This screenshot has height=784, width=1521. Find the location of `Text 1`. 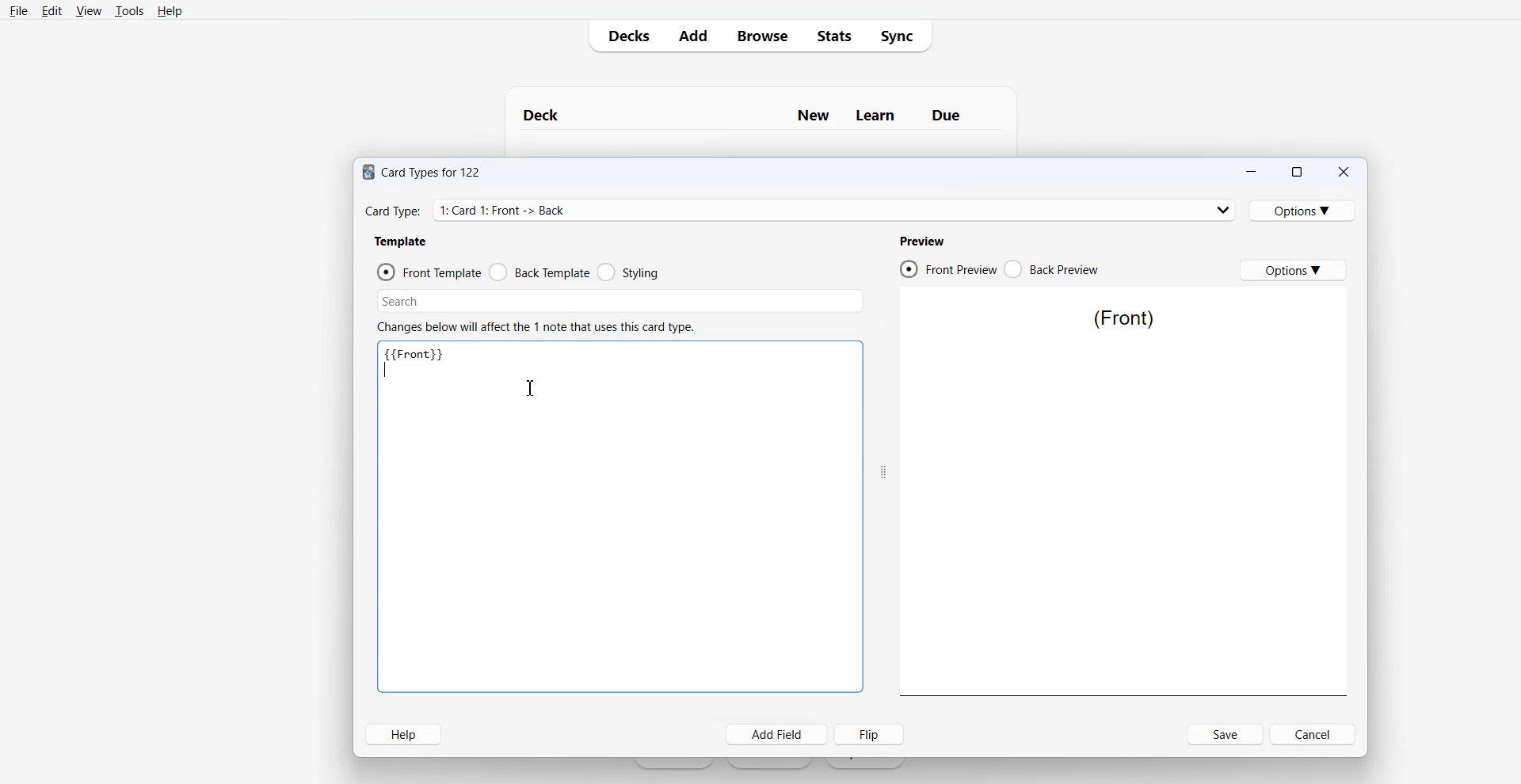

Text 1 is located at coordinates (423, 173).